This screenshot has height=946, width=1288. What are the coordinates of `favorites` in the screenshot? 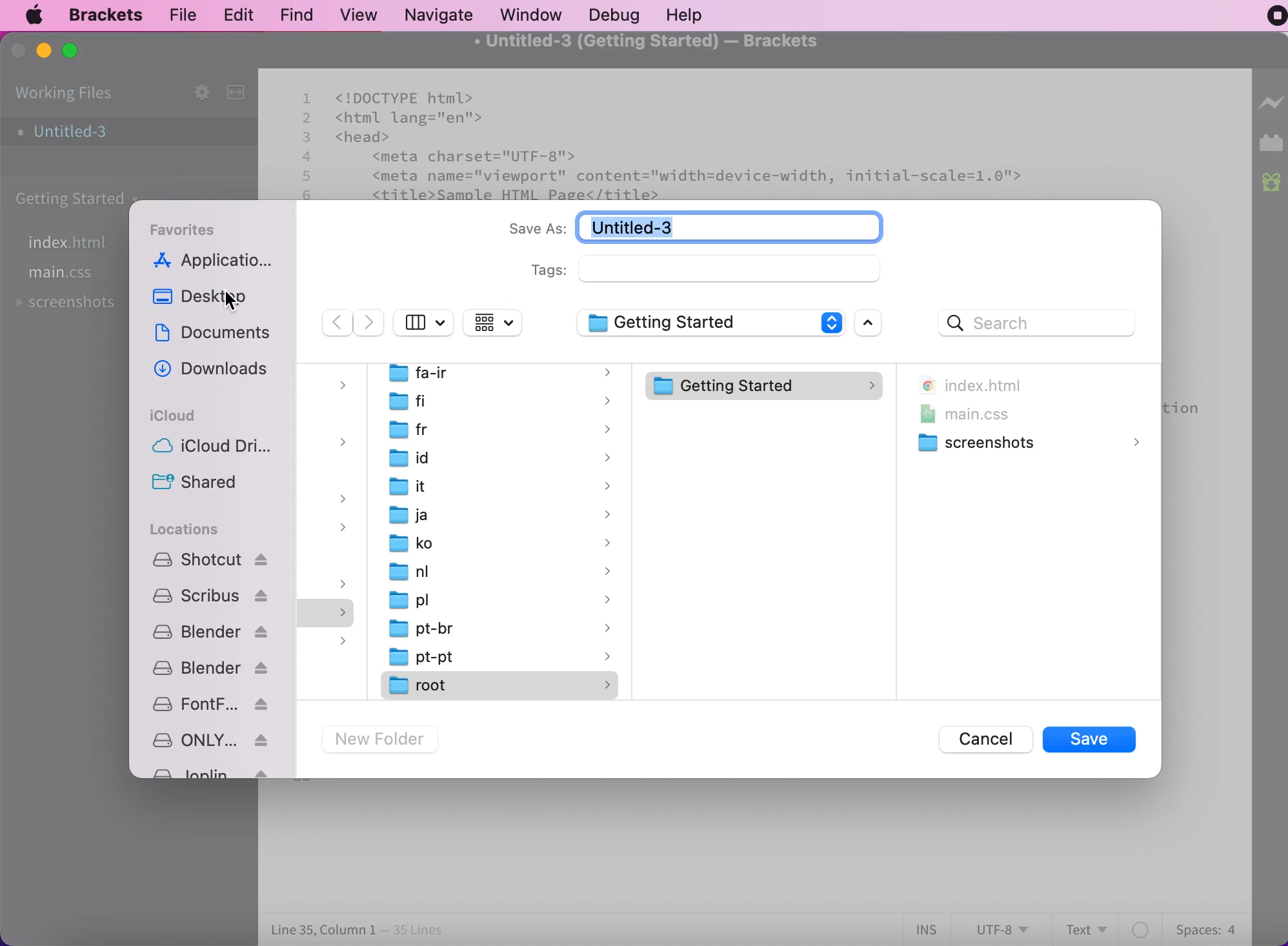 It's located at (186, 230).